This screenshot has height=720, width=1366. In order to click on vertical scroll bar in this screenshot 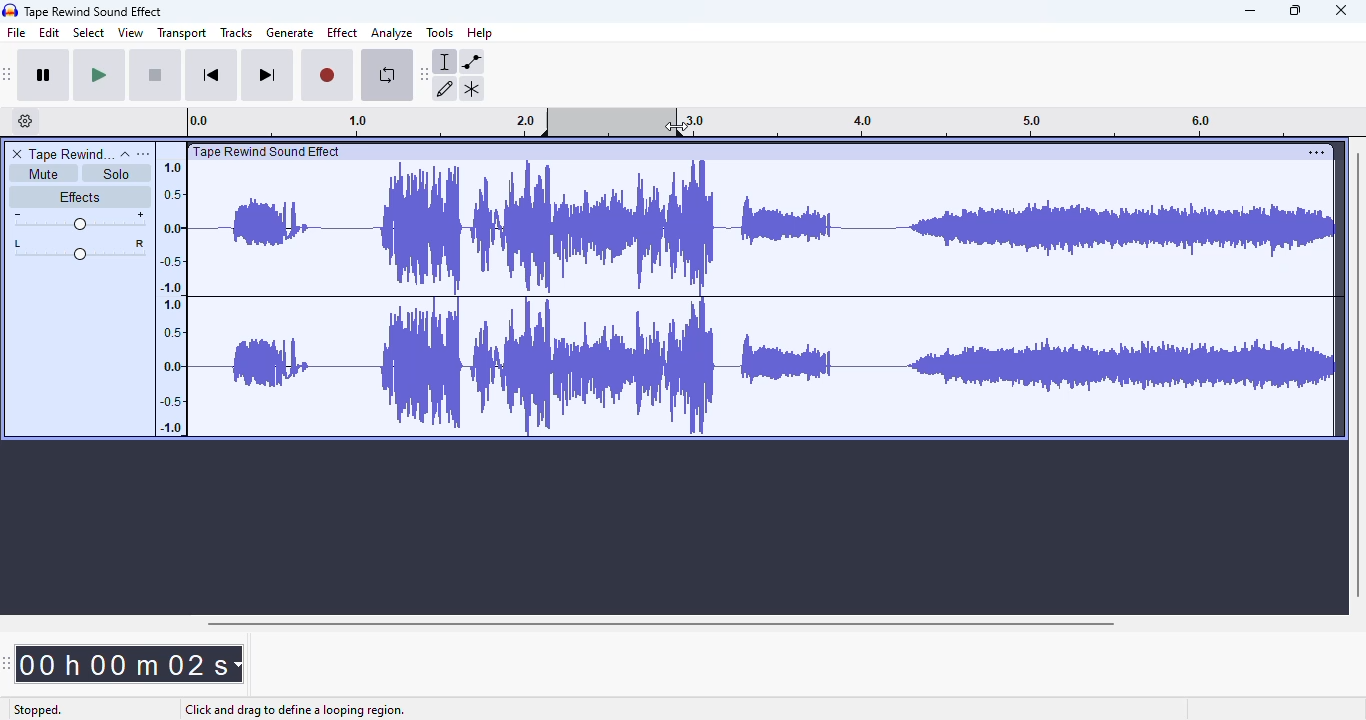, I will do `click(1359, 370)`.